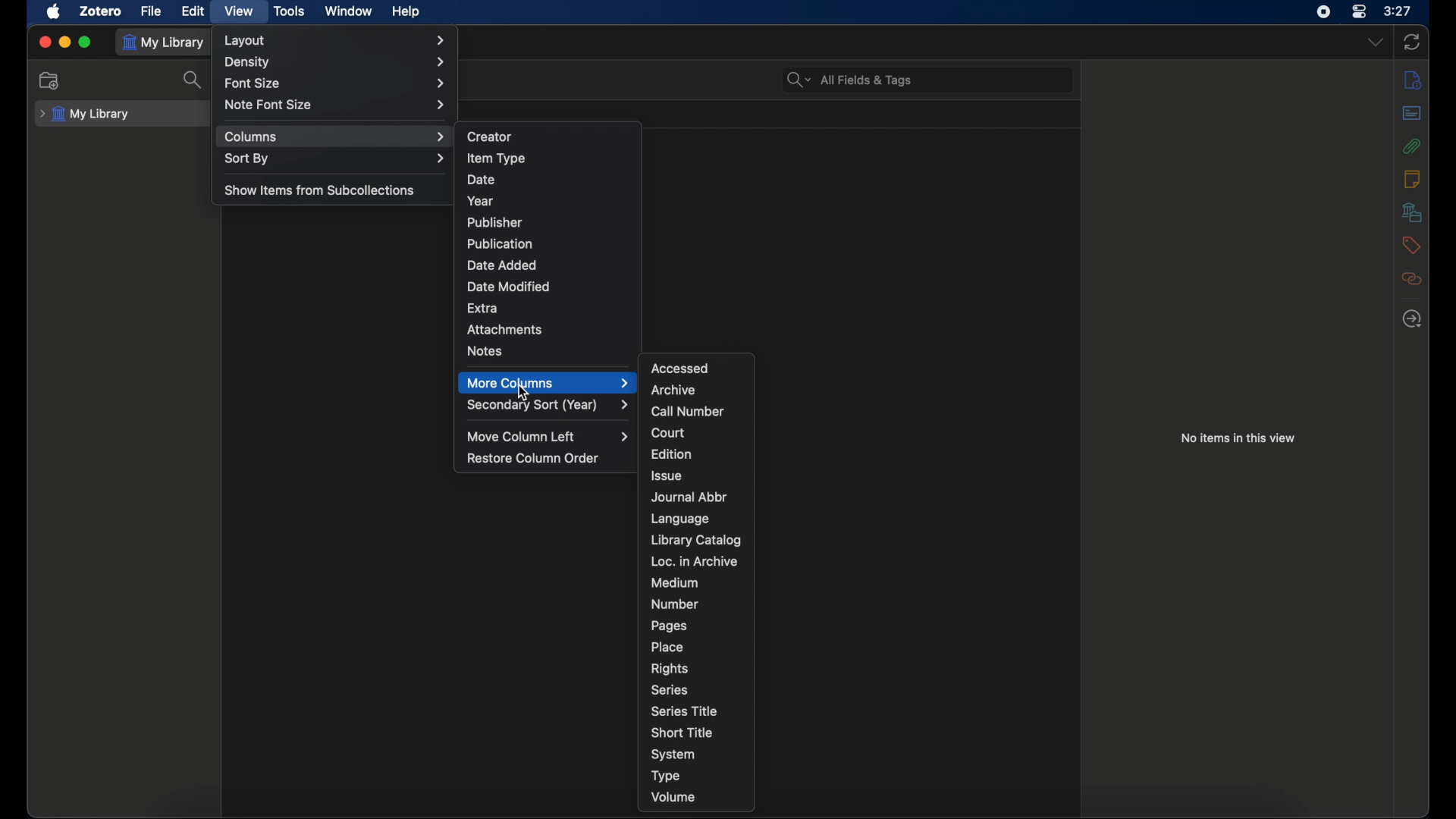  What do you see at coordinates (670, 670) in the screenshot?
I see `rights` at bounding box center [670, 670].